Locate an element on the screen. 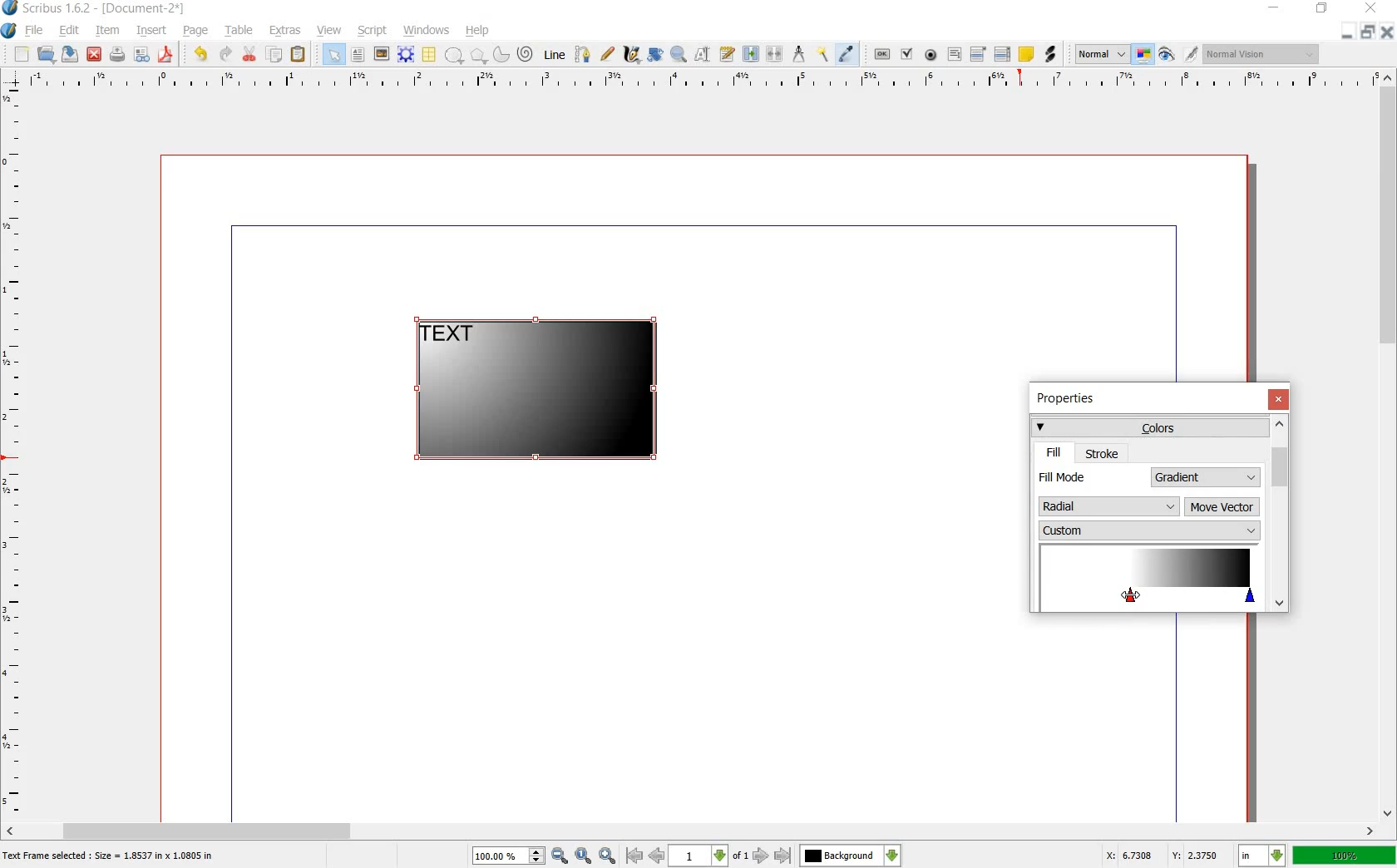  go to previous or first page is located at coordinates (644, 856).